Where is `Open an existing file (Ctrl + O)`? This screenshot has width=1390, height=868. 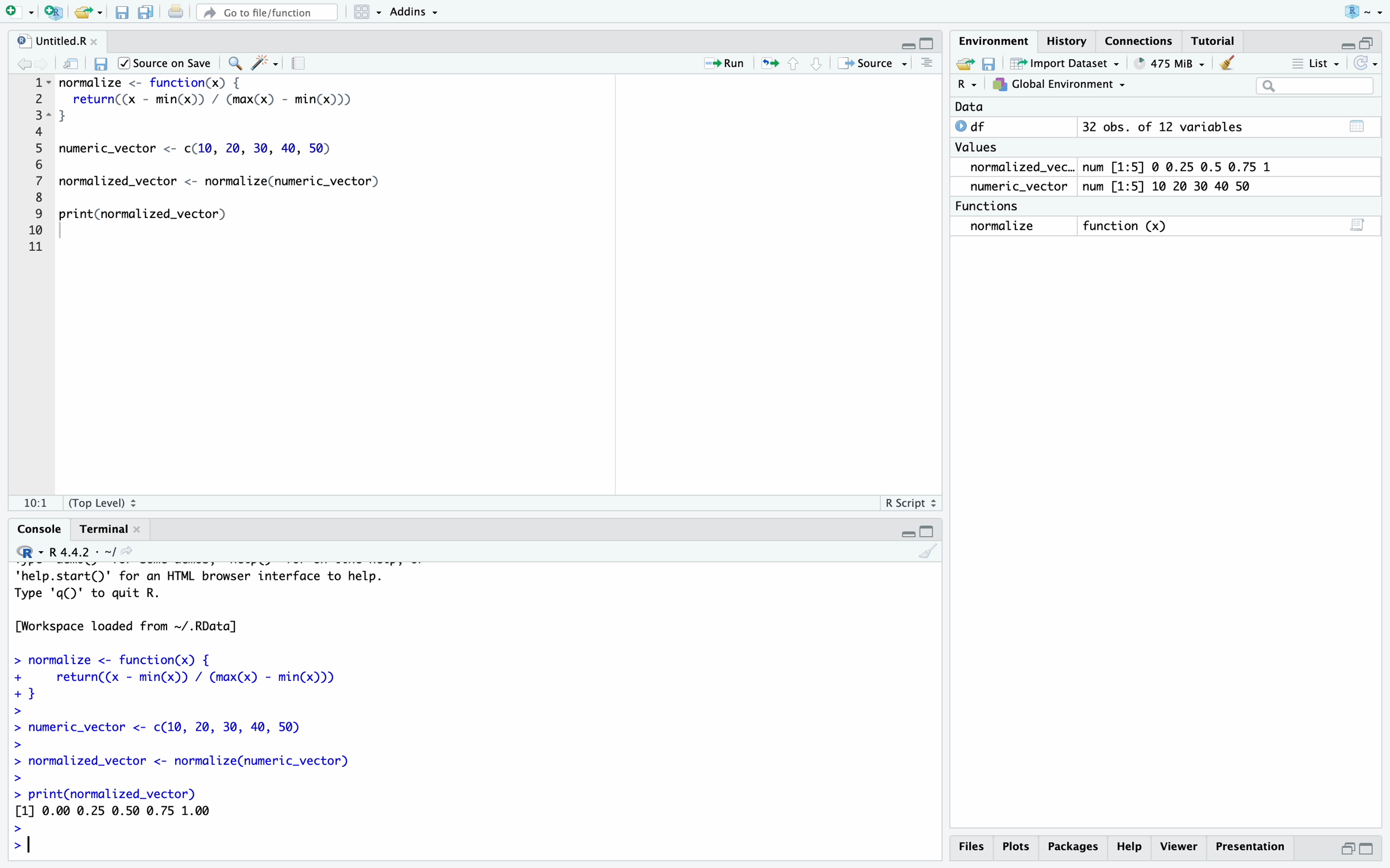
Open an existing file (Ctrl + O) is located at coordinates (88, 14).